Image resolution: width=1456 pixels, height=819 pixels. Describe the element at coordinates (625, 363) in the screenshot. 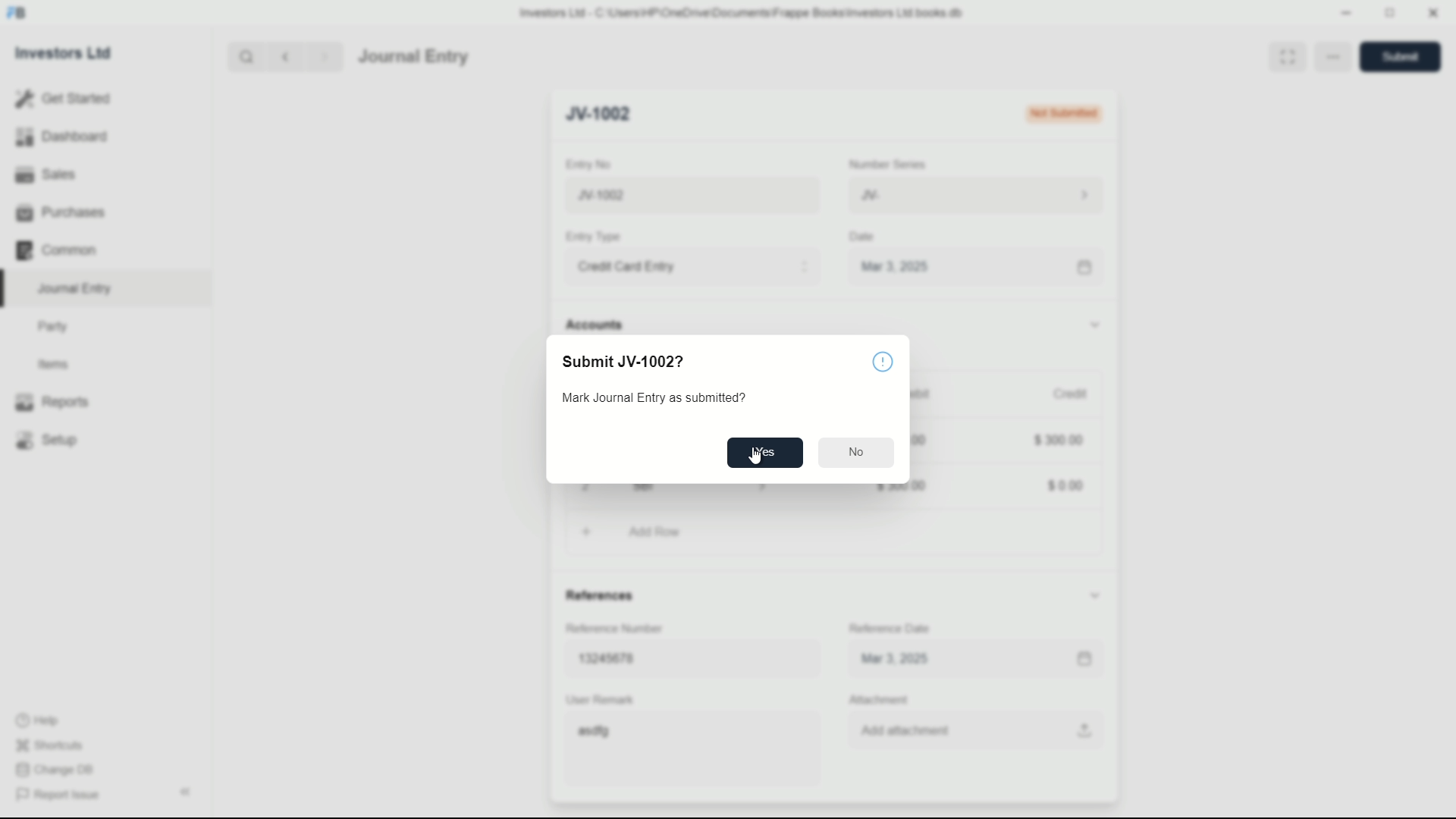

I see `Submit JV-1002?` at that location.